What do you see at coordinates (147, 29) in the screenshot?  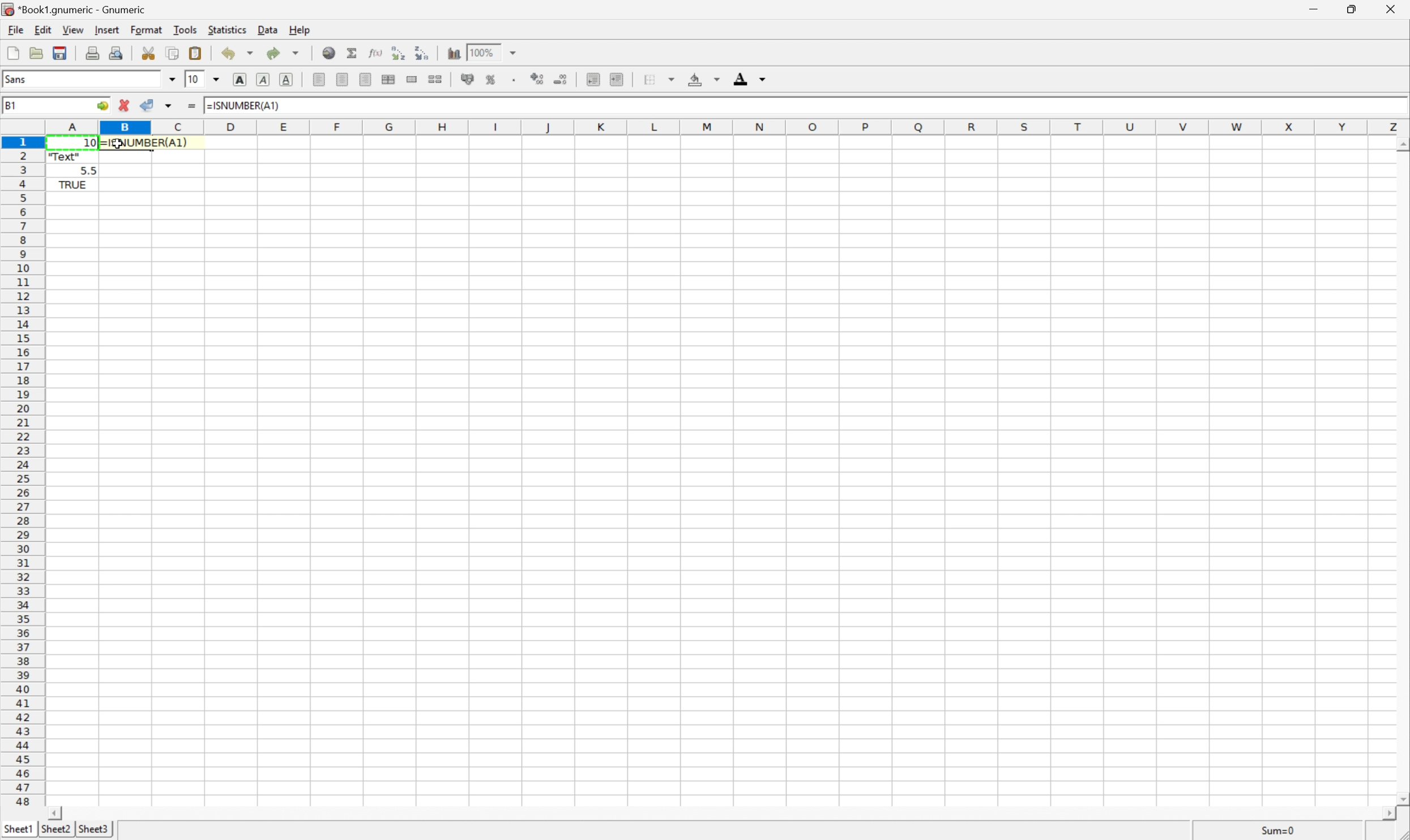 I see `Format` at bounding box center [147, 29].